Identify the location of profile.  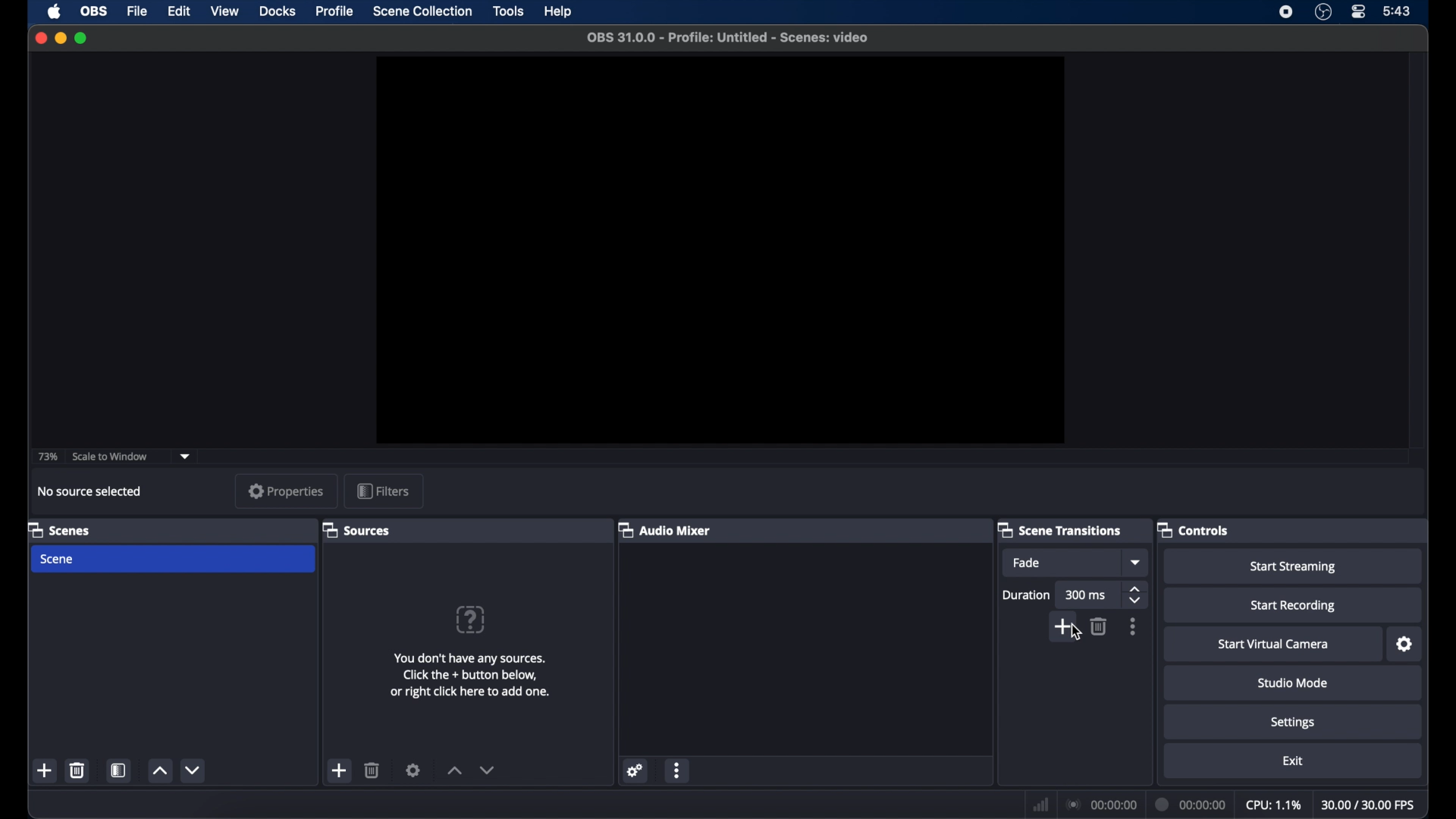
(335, 11).